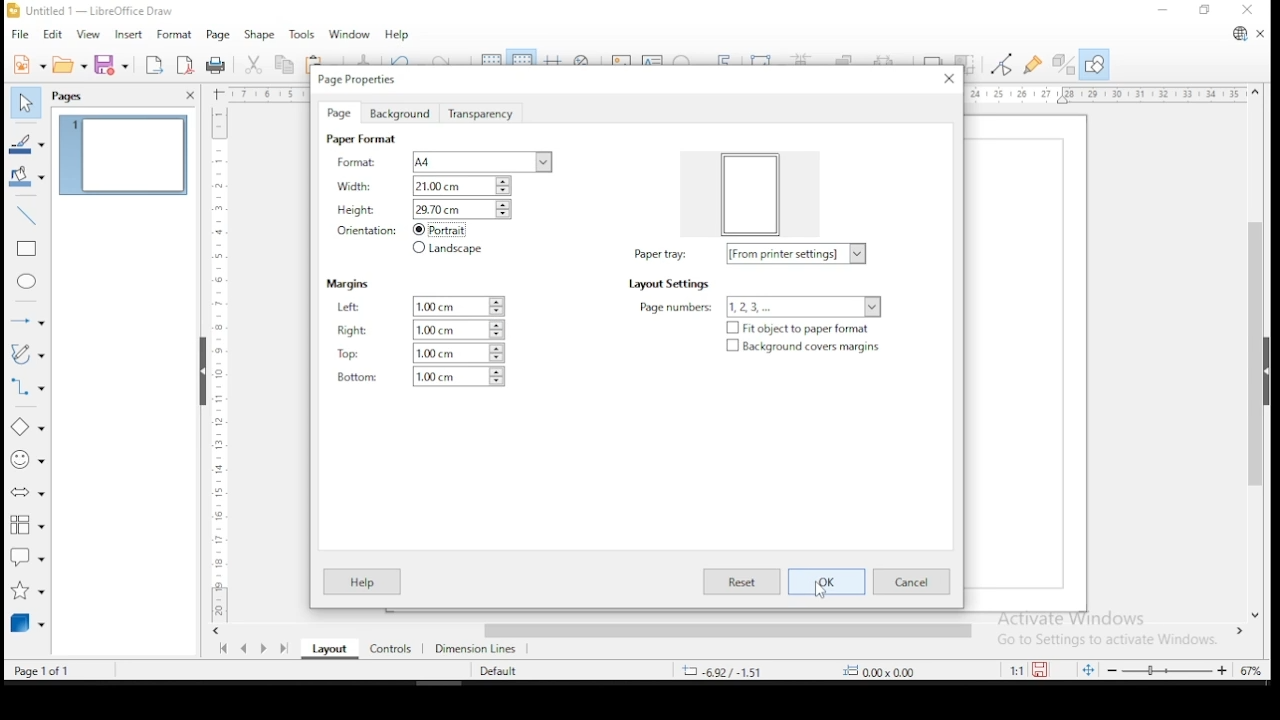 The height and width of the screenshot is (720, 1280). What do you see at coordinates (421, 330) in the screenshot?
I see `right margin settings` at bounding box center [421, 330].